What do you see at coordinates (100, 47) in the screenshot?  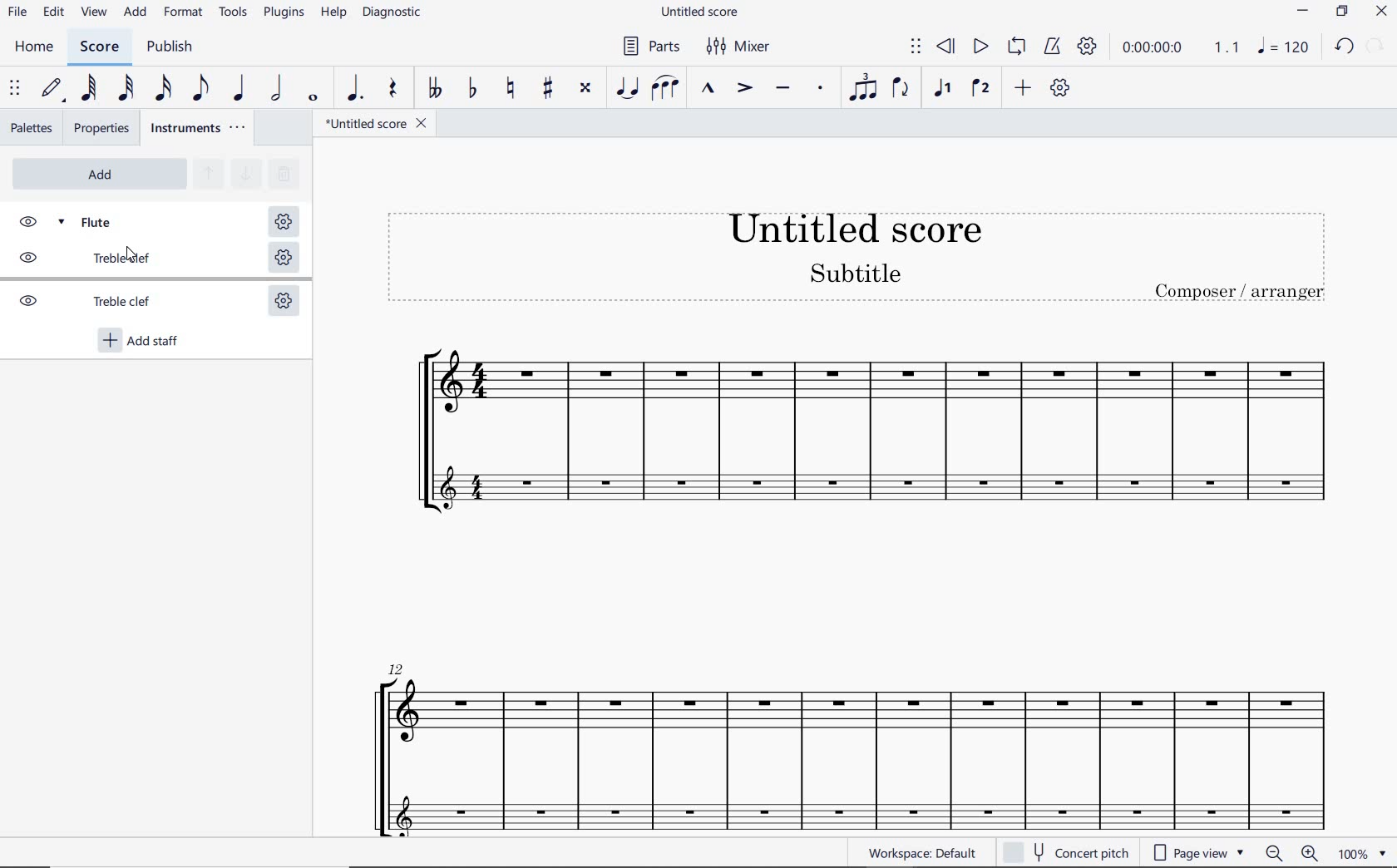 I see `score` at bounding box center [100, 47].